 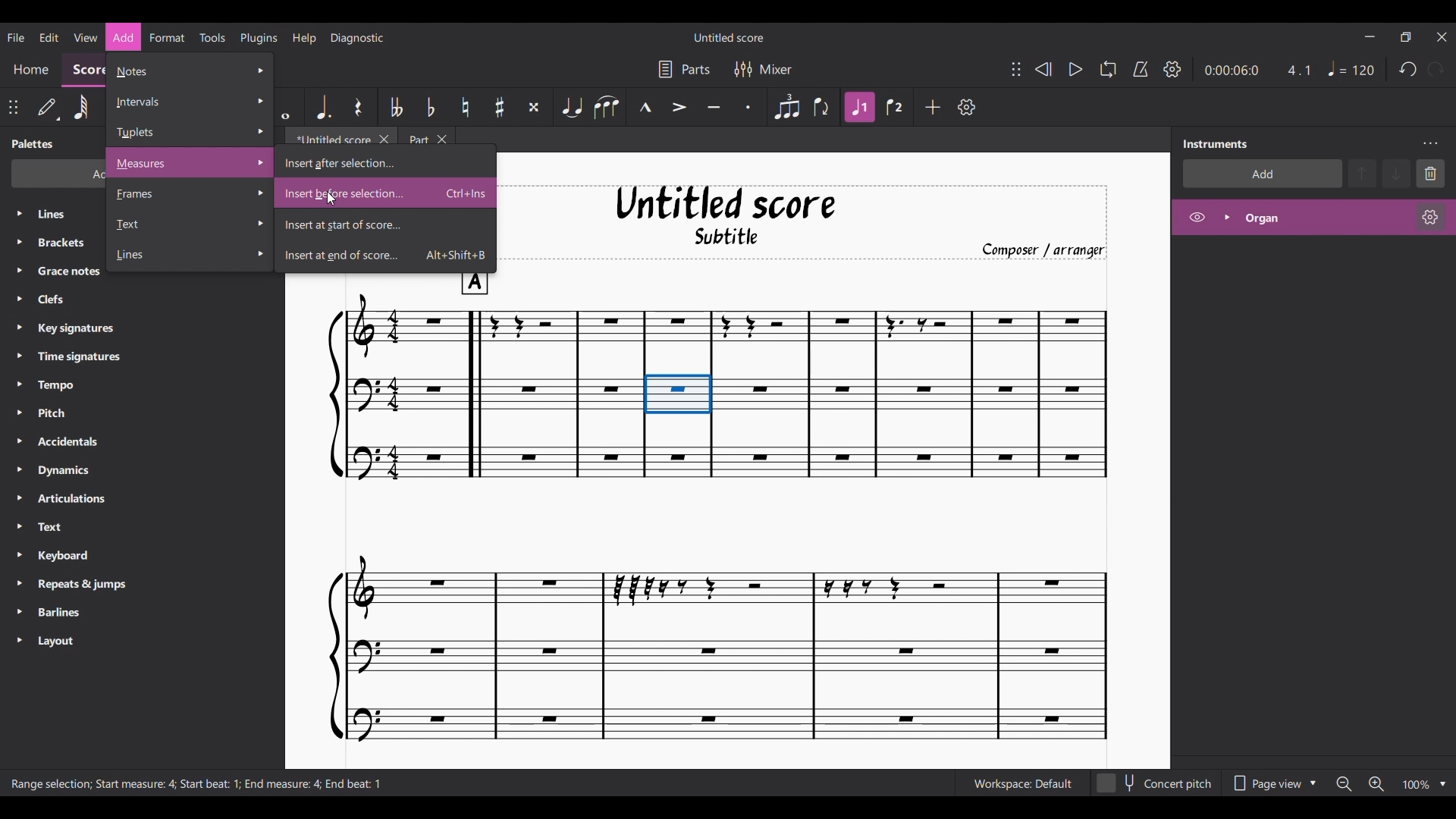 What do you see at coordinates (896, 107) in the screenshot?
I see `Voice 2` at bounding box center [896, 107].